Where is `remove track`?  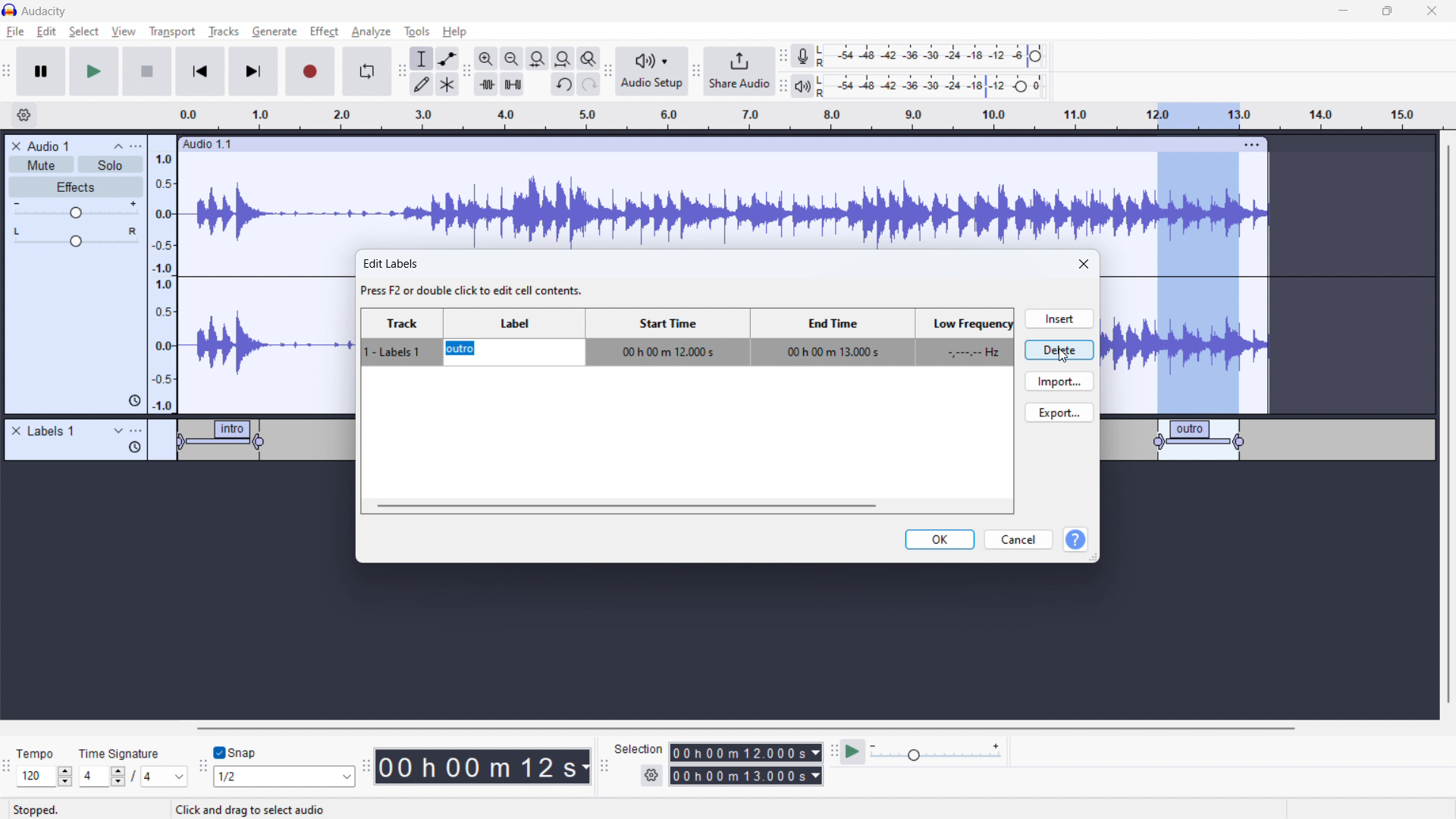
remove track is located at coordinates (16, 146).